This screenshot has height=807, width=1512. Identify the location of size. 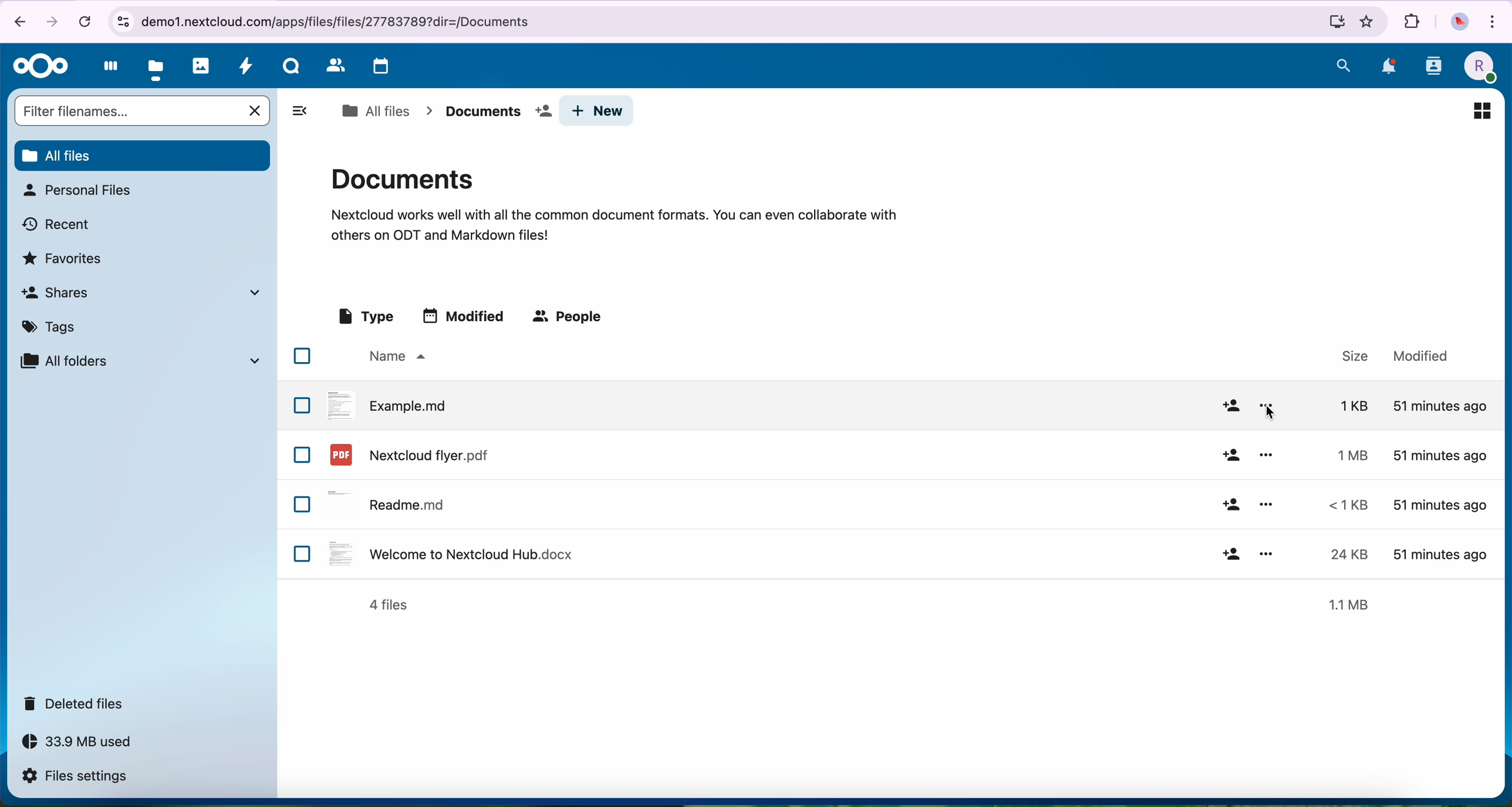
(1350, 407).